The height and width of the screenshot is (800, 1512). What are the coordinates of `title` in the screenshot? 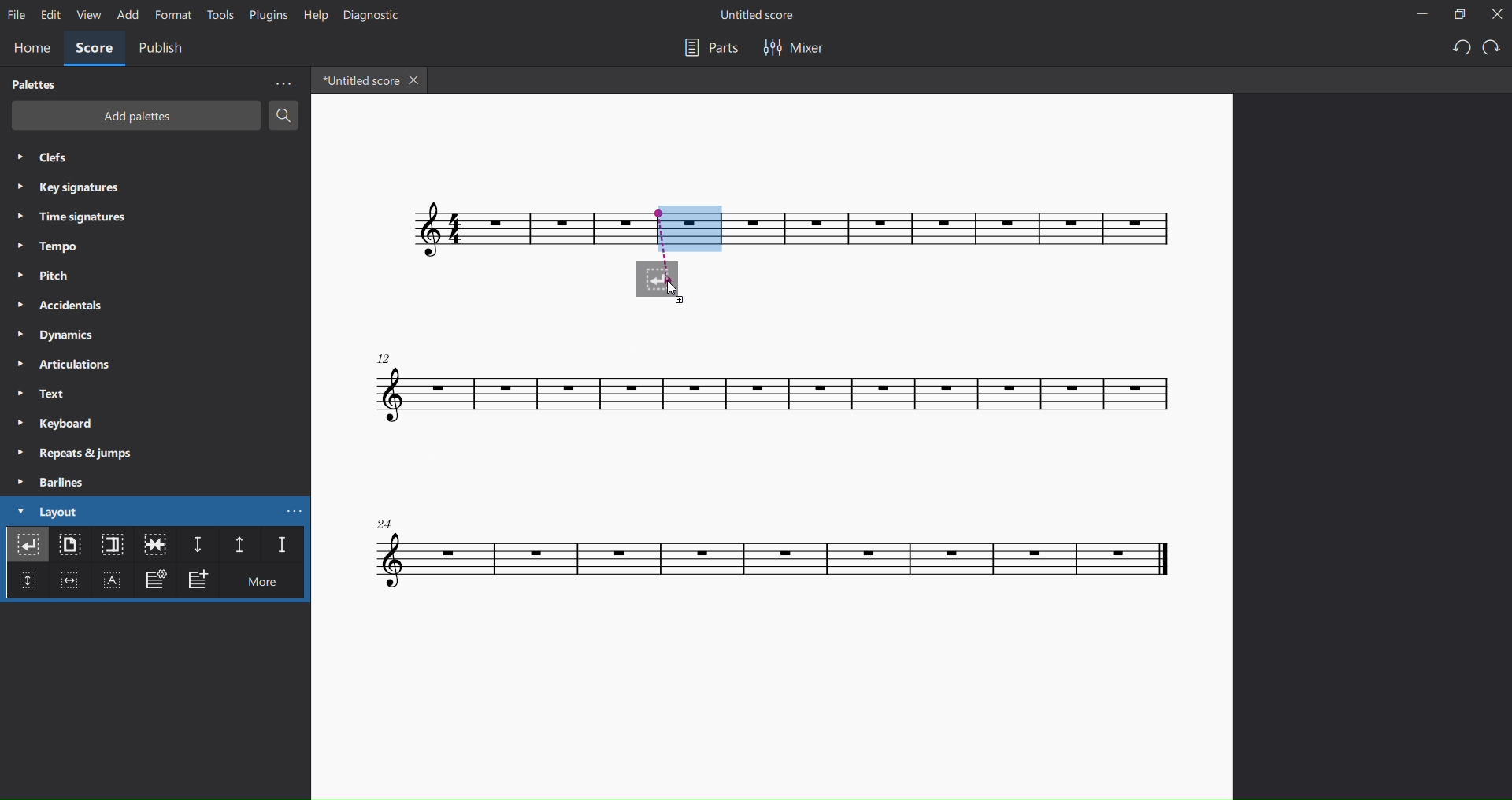 It's located at (765, 14).